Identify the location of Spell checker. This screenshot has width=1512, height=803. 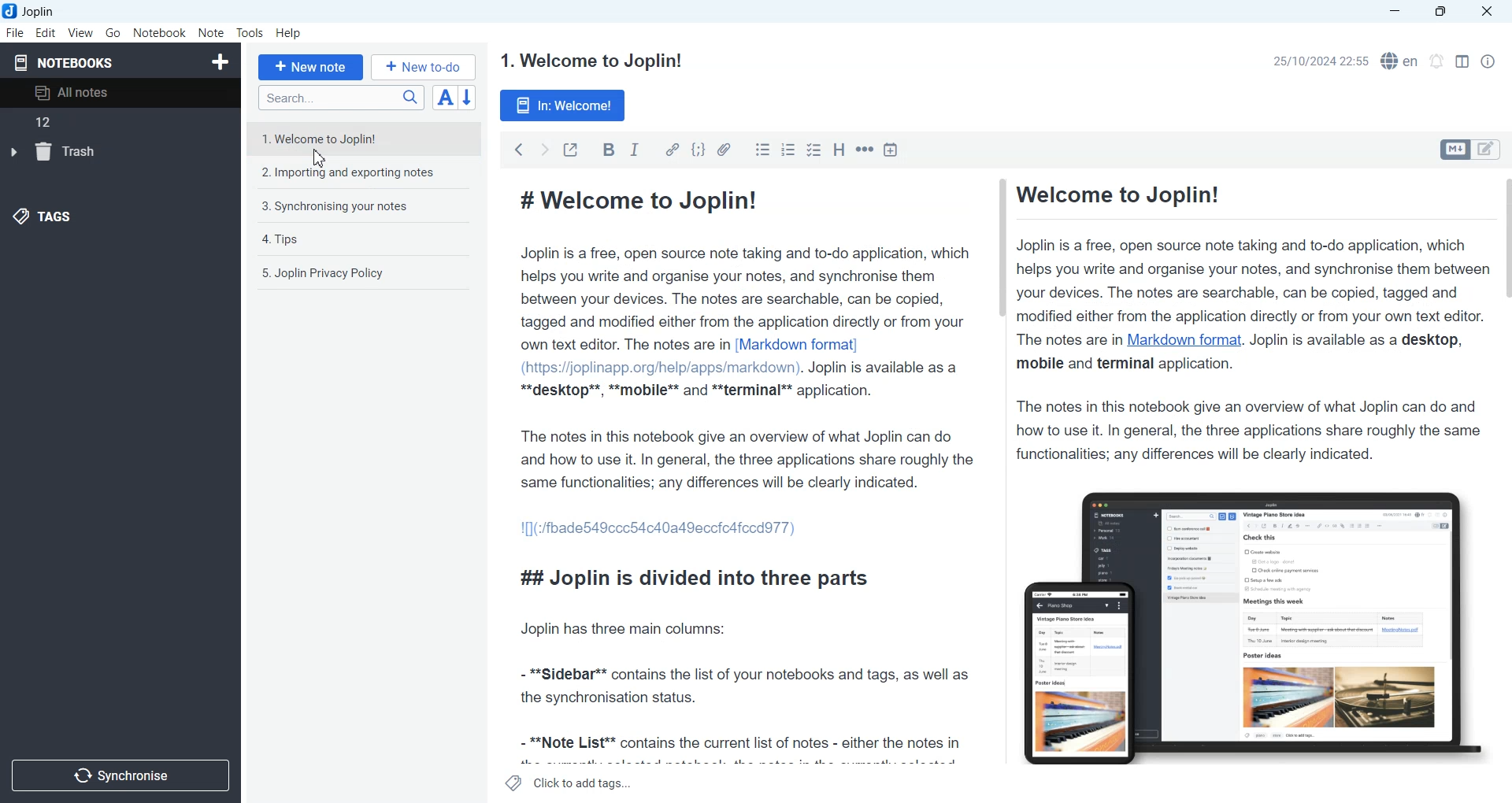
(1401, 61).